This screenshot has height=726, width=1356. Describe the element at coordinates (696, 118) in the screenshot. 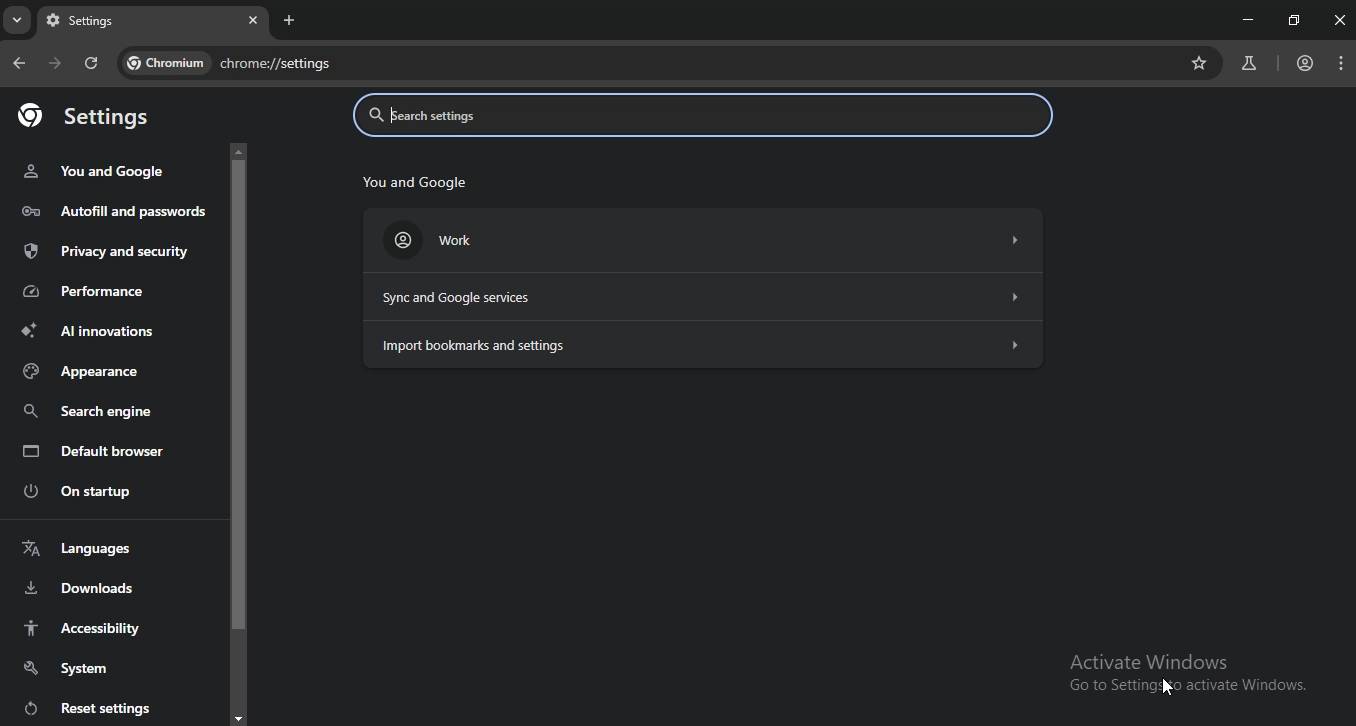

I see `search settings` at that location.